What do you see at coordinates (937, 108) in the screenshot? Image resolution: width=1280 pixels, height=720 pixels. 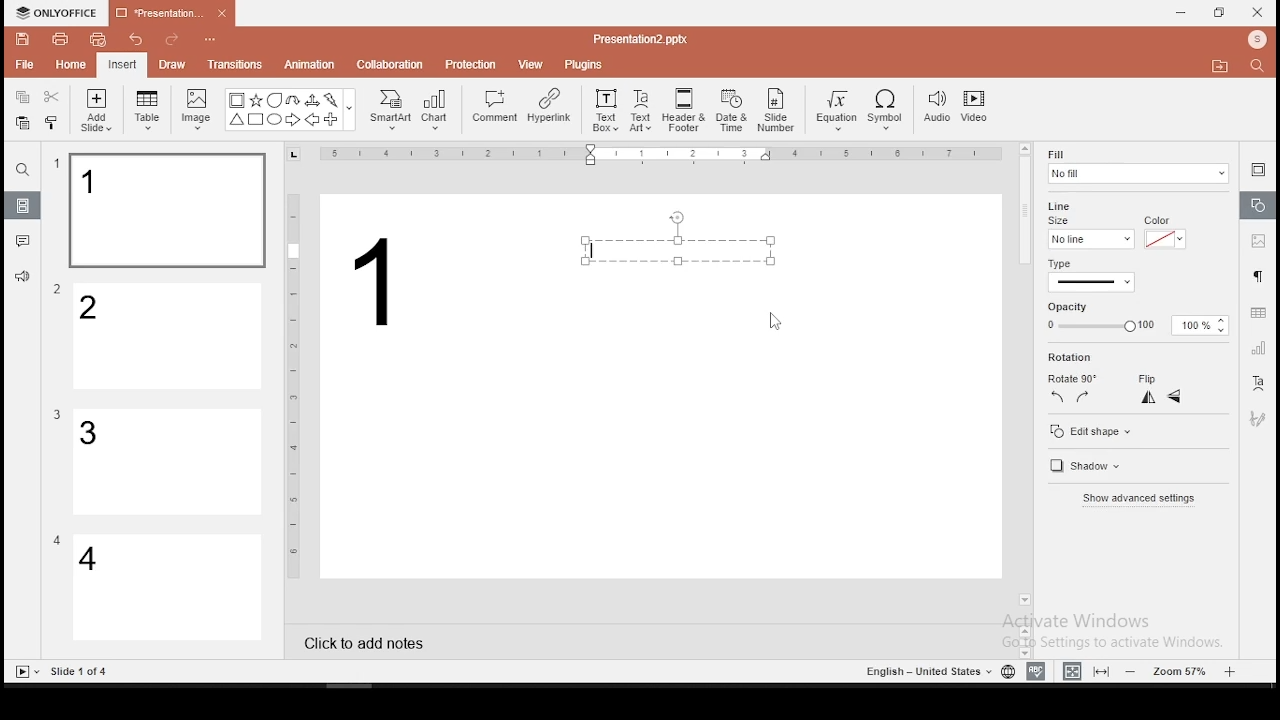 I see `audio` at bounding box center [937, 108].